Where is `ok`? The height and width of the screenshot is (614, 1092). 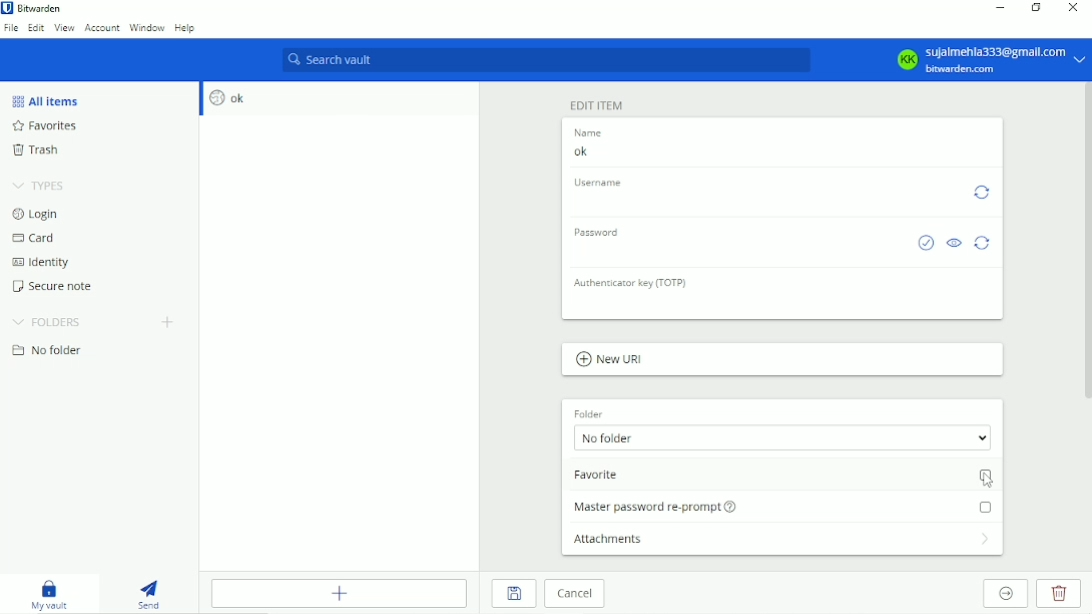 ok is located at coordinates (777, 153).